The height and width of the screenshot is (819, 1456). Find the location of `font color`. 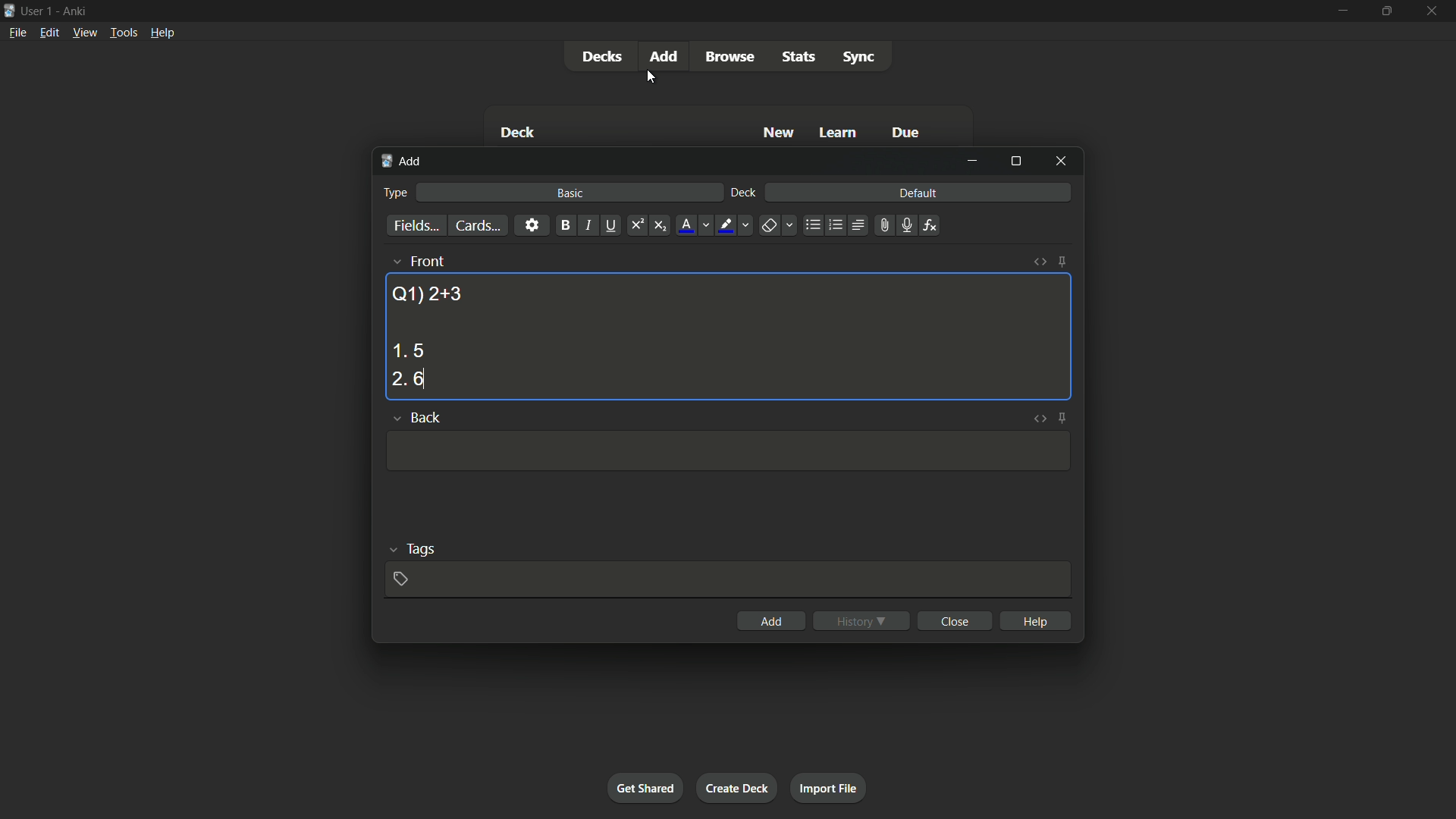

font color is located at coordinates (687, 225).